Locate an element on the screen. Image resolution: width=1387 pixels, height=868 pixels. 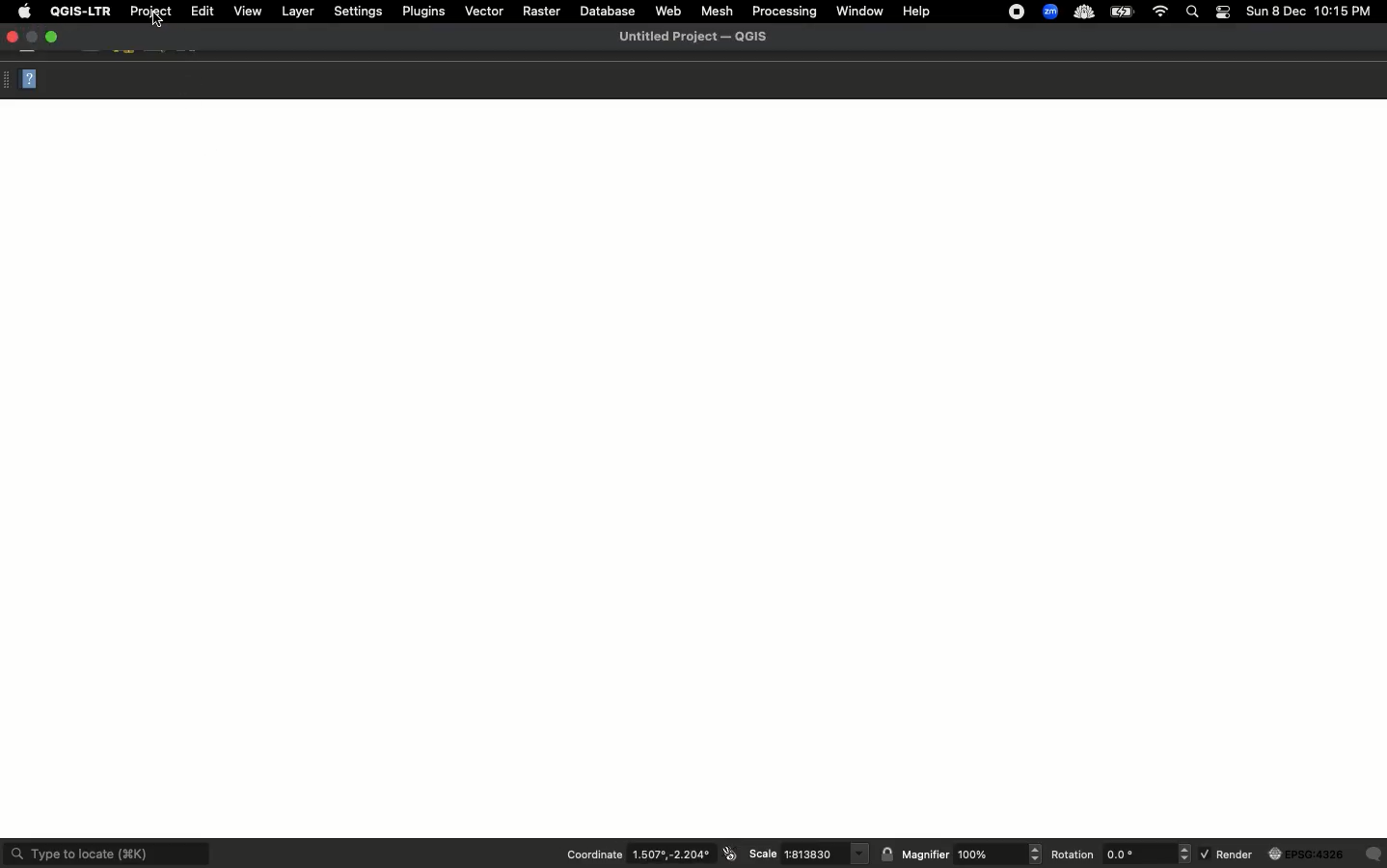
Edit is located at coordinates (200, 12).